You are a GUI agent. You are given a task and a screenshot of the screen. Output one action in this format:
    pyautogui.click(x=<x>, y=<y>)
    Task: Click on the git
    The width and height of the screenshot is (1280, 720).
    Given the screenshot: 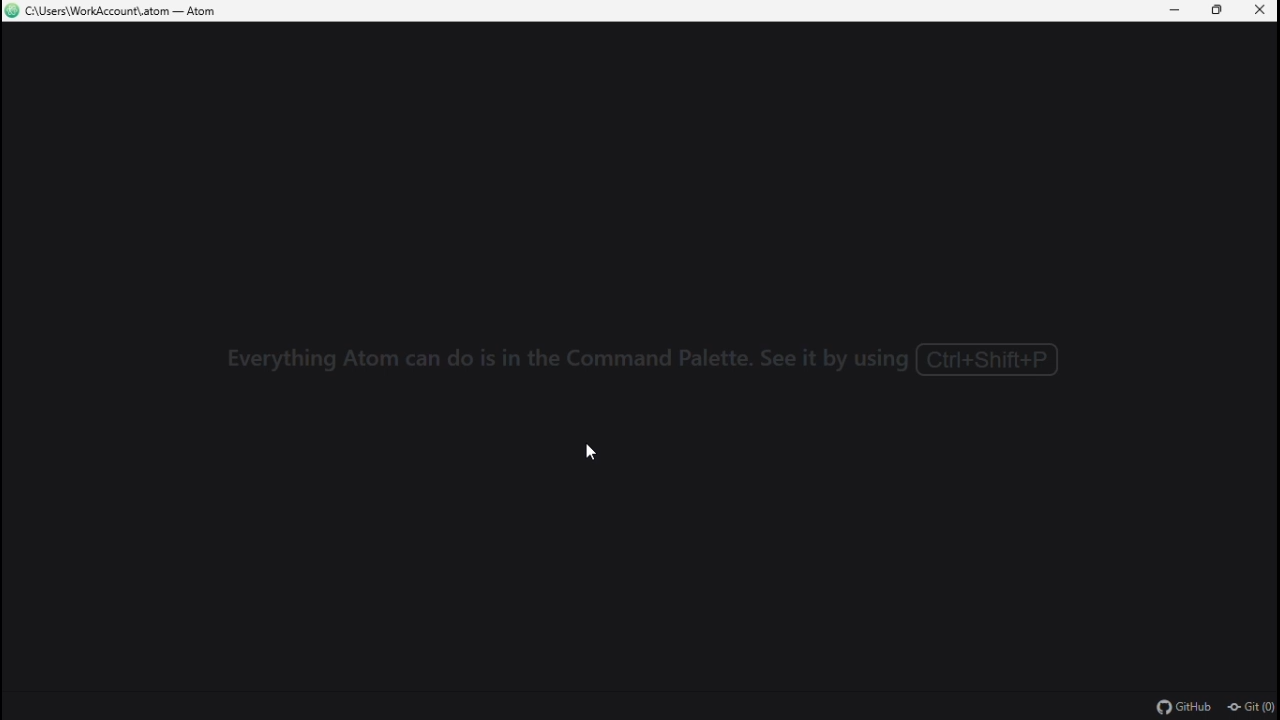 What is the action you would take?
    pyautogui.click(x=1250, y=707)
    